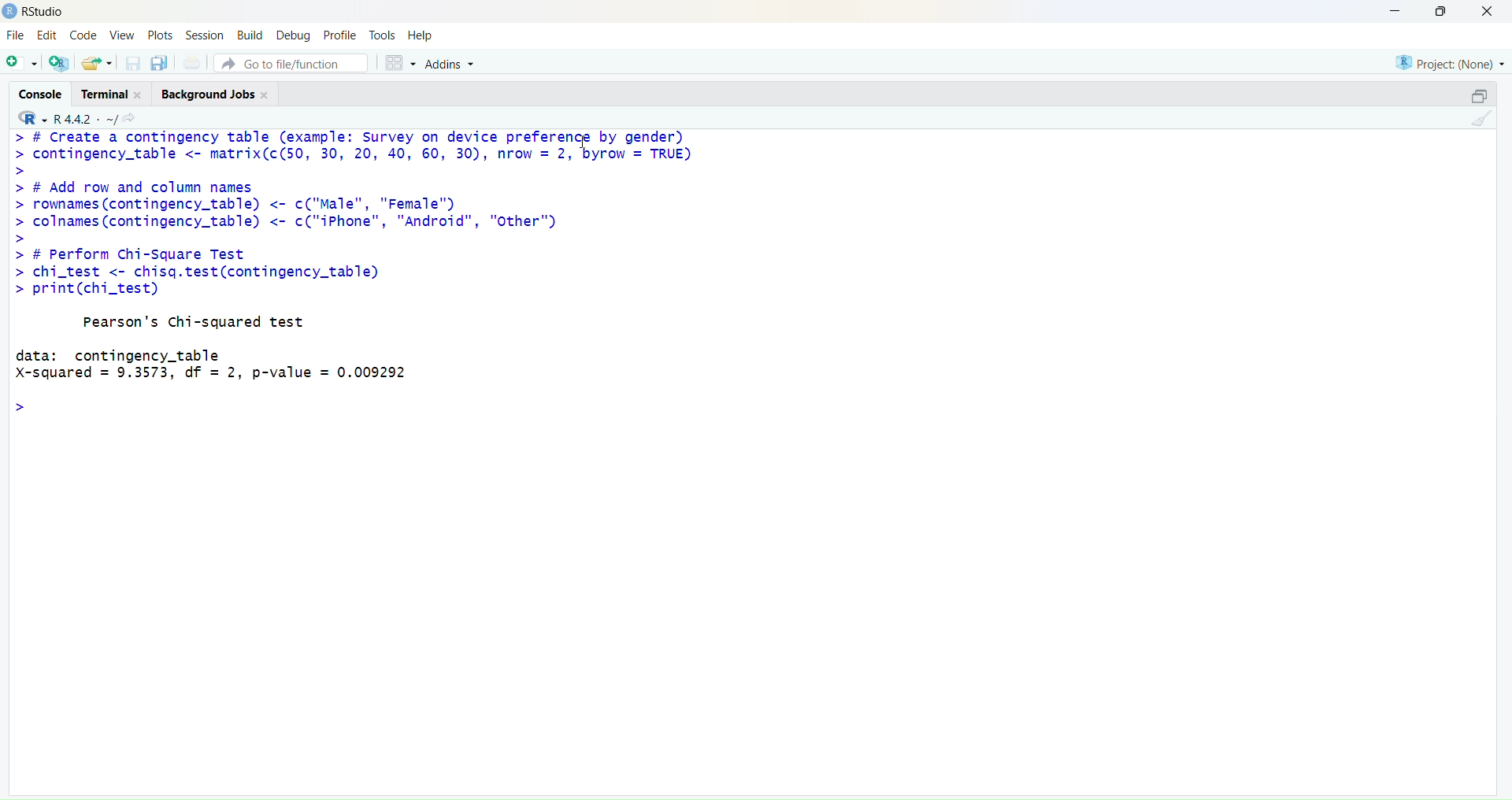  What do you see at coordinates (104, 94) in the screenshot?
I see `Terminal ` at bounding box center [104, 94].